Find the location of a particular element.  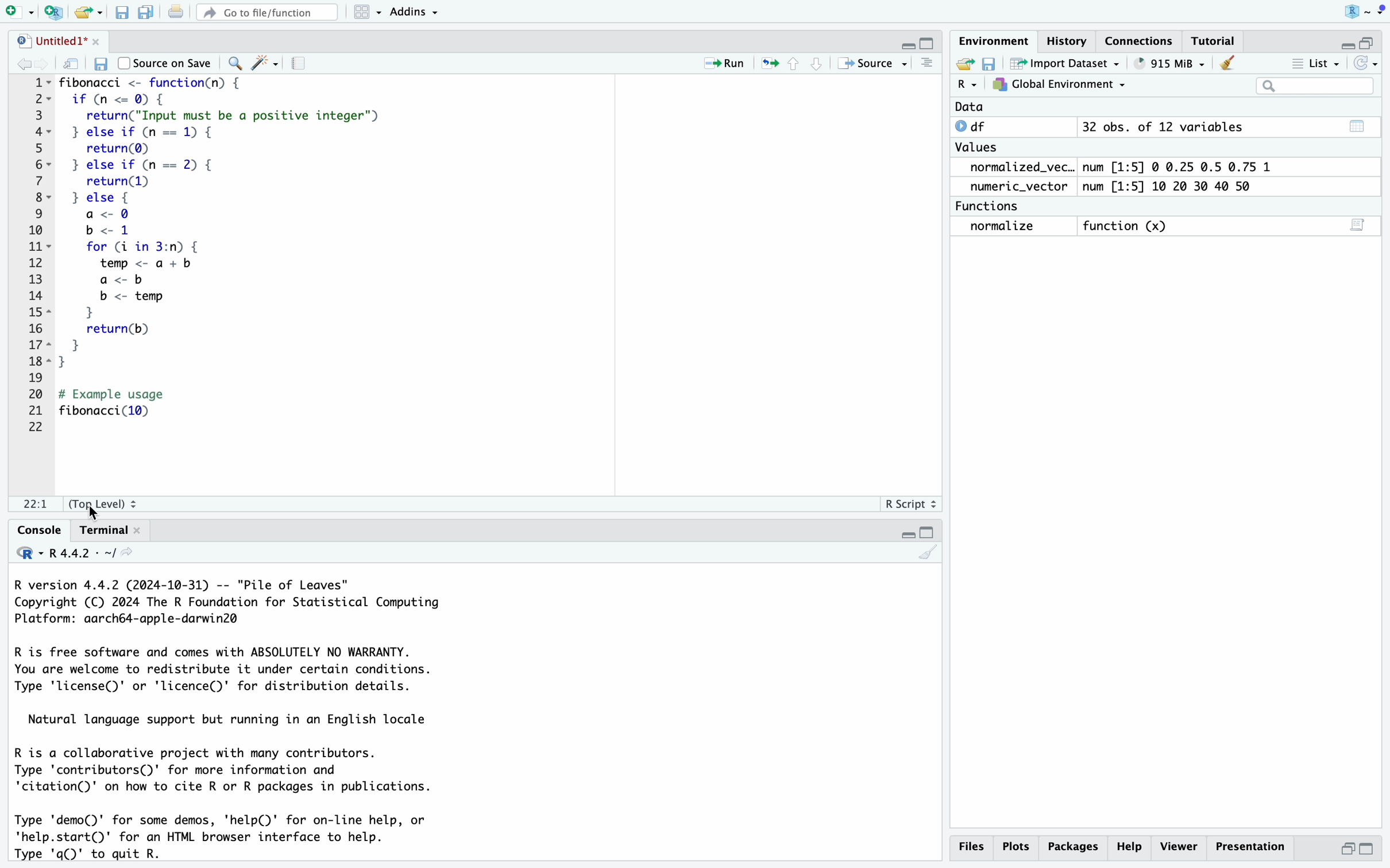

files is located at coordinates (971, 846).